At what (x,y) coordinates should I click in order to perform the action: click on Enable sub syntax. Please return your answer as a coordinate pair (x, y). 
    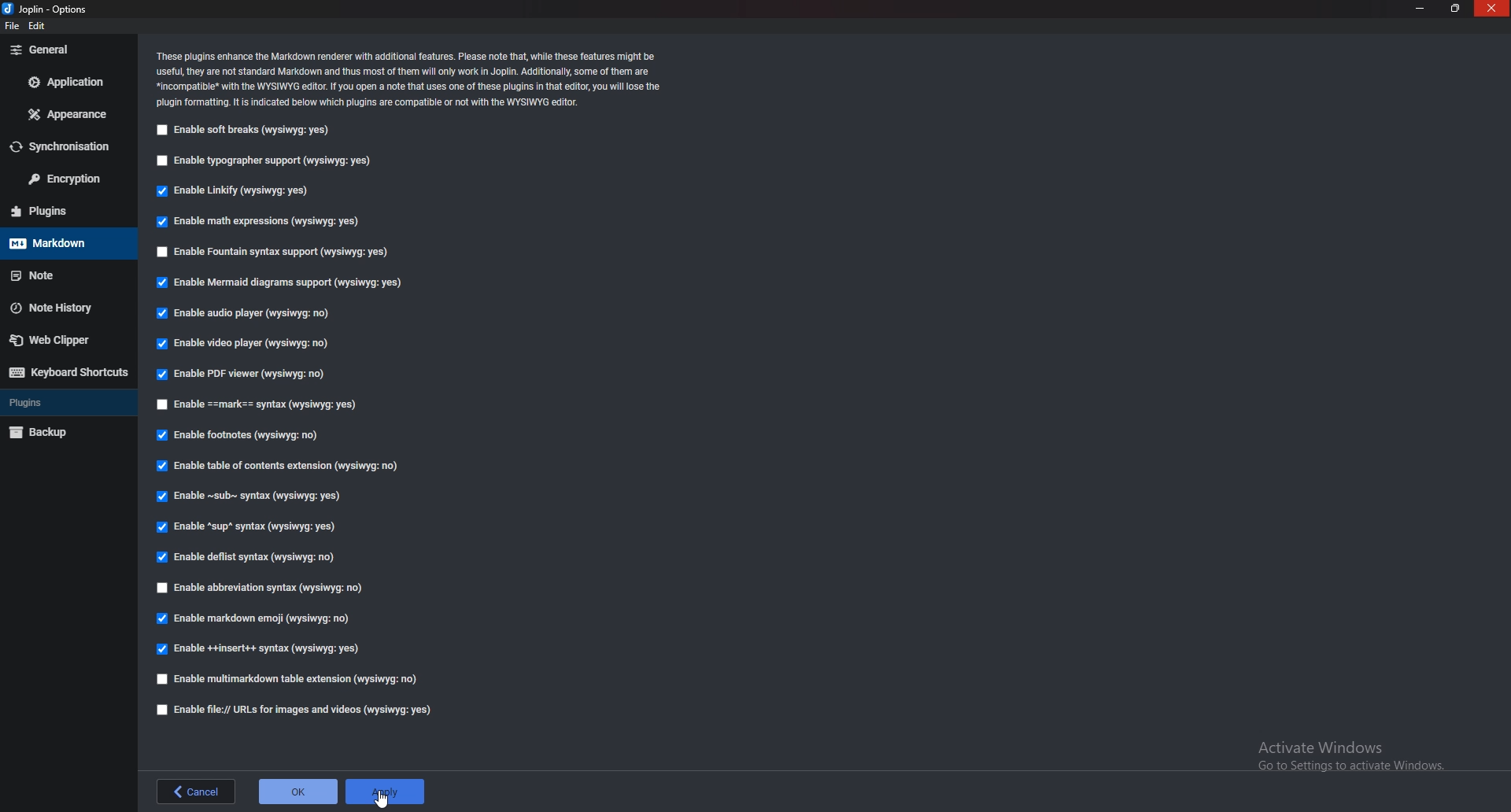
    Looking at the image, I should click on (248, 496).